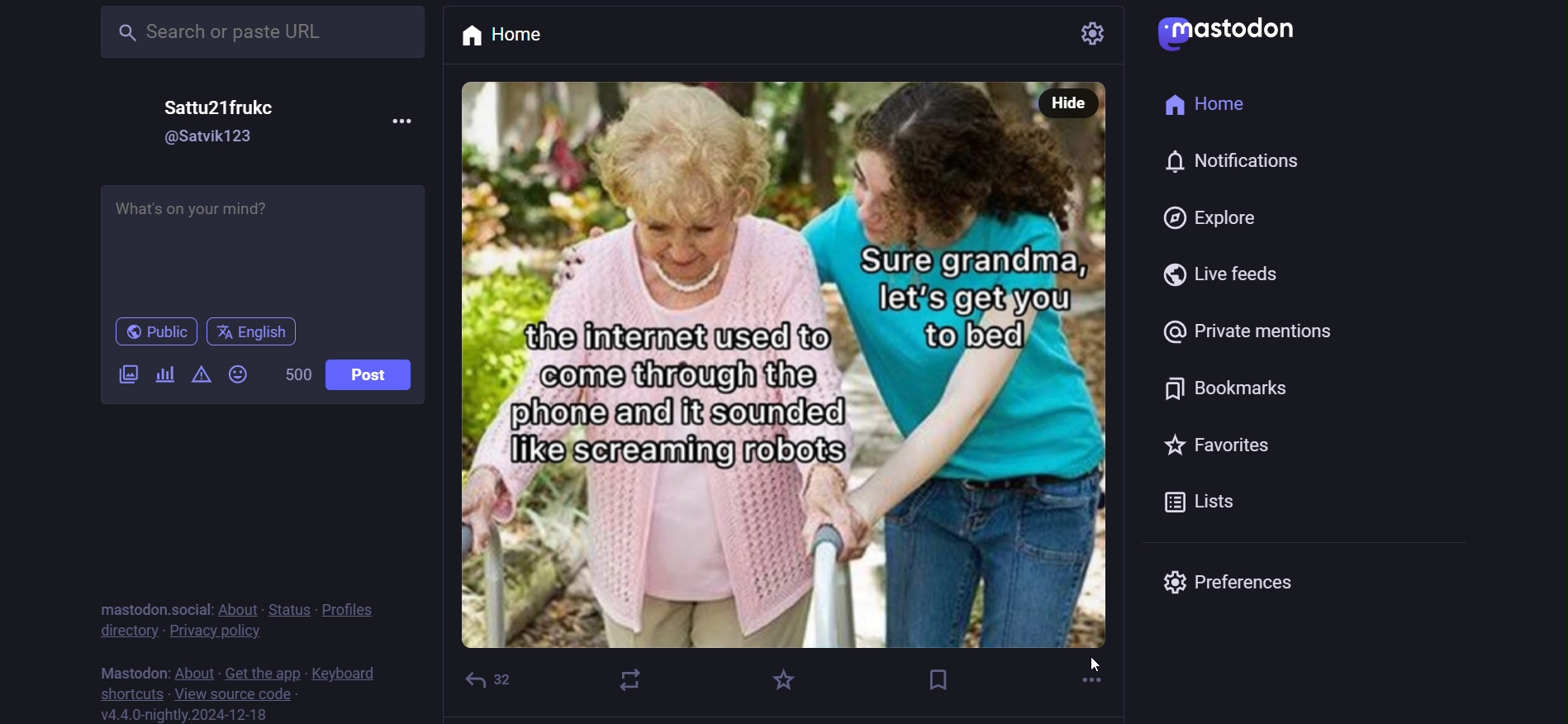 The image size is (1568, 724). Describe the element at coordinates (1201, 106) in the screenshot. I see `home` at that location.